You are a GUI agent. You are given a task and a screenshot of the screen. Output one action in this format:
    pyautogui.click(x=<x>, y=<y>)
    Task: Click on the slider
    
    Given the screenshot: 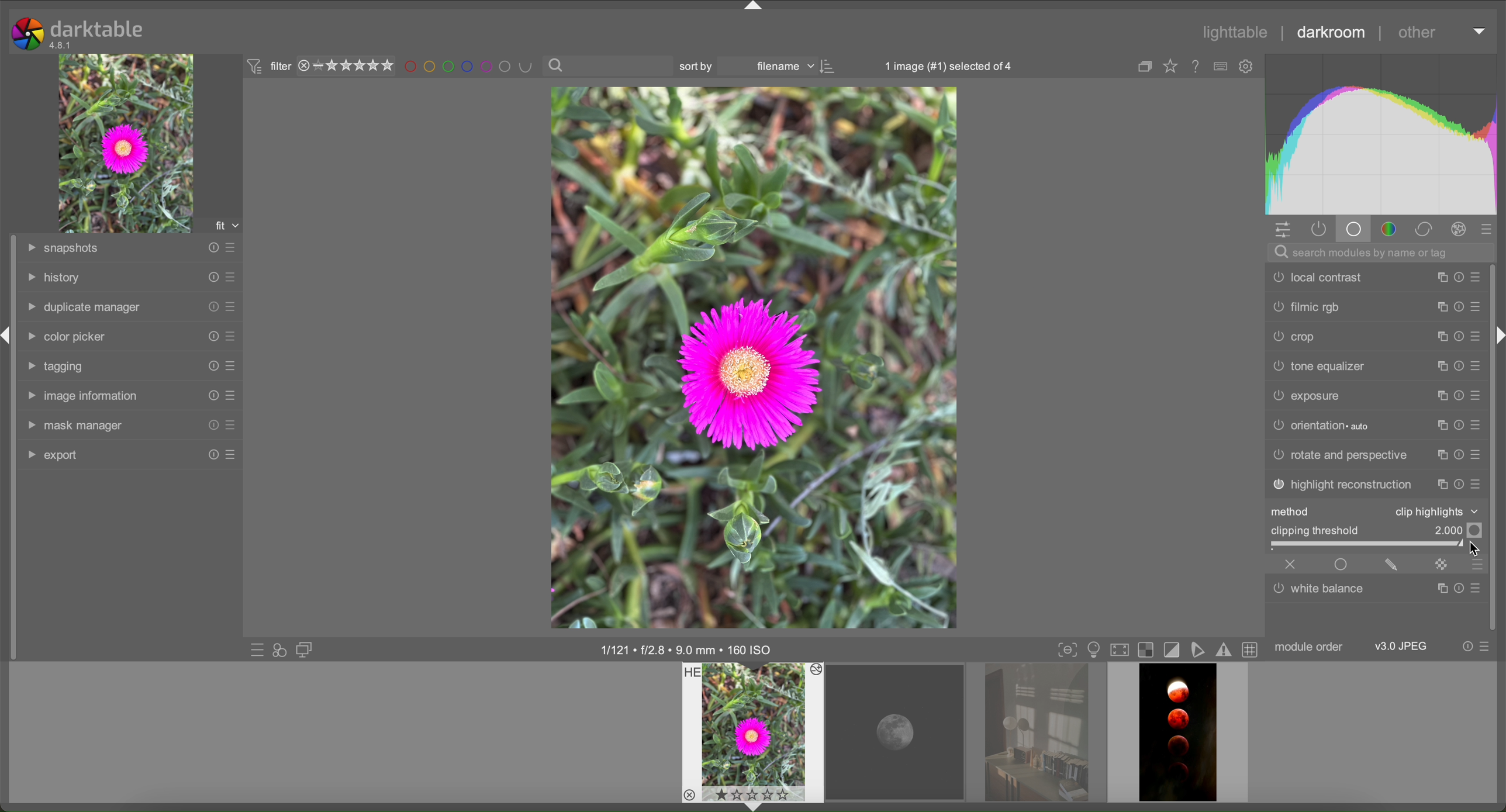 What is the action you would take?
    pyautogui.click(x=1379, y=545)
    